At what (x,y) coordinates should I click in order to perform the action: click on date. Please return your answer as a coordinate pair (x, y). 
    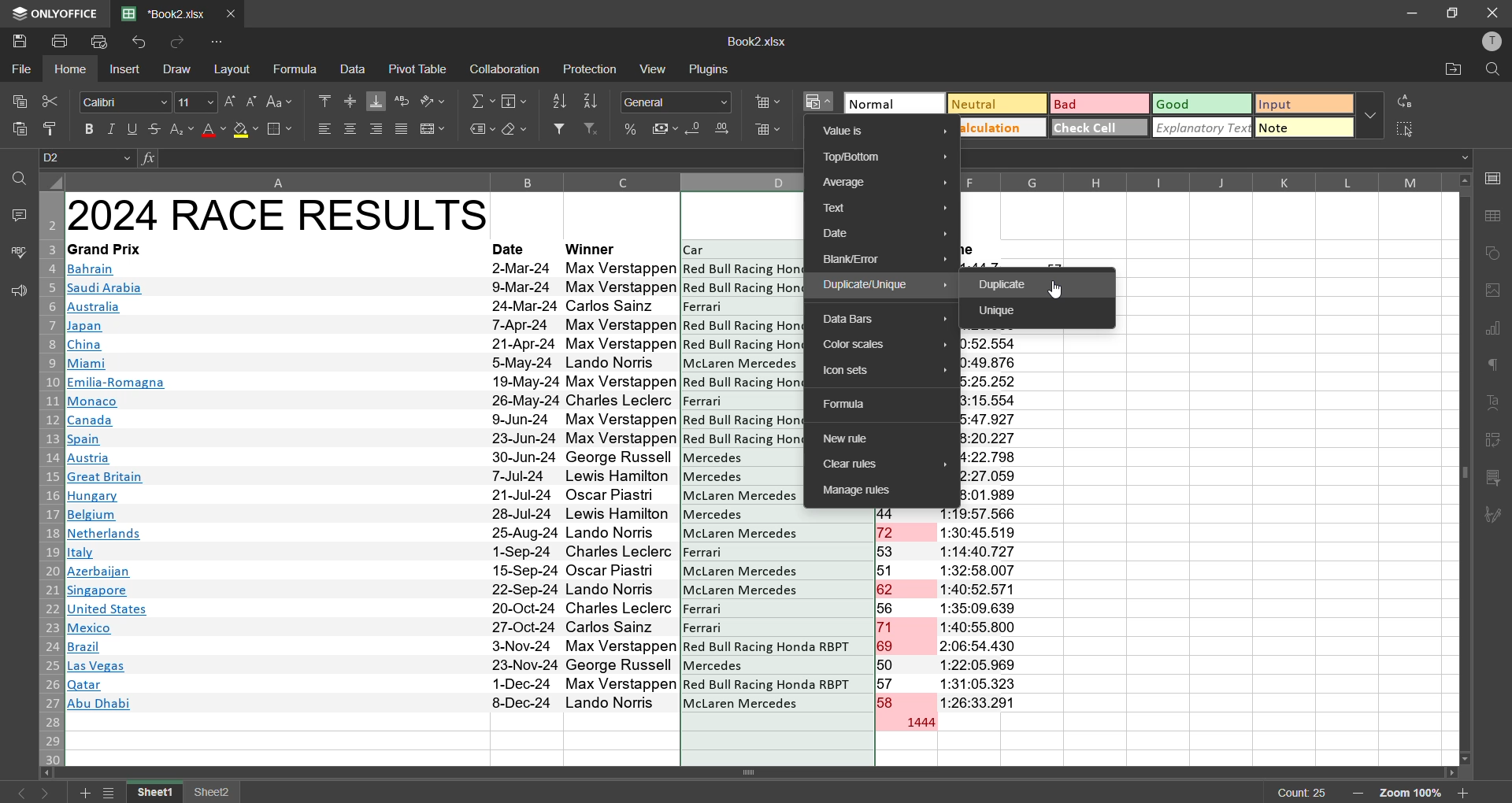
    Looking at the image, I should click on (524, 486).